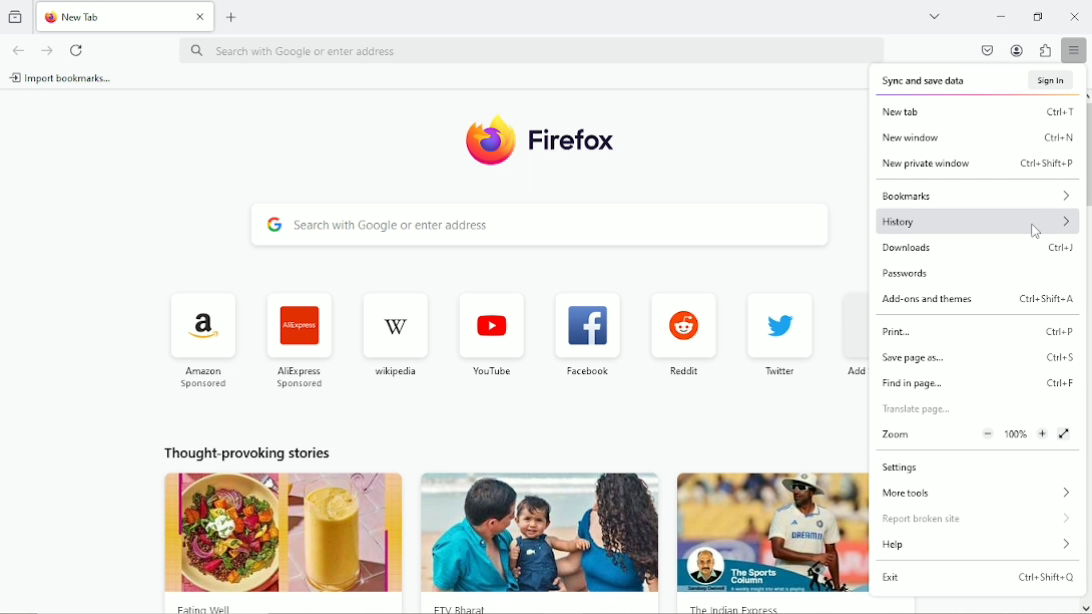 This screenshot has height=614, width=1092. What do you see at coordinates (904, 467) in the screenshot?
I see `settings` at bounding box center [904, 467].